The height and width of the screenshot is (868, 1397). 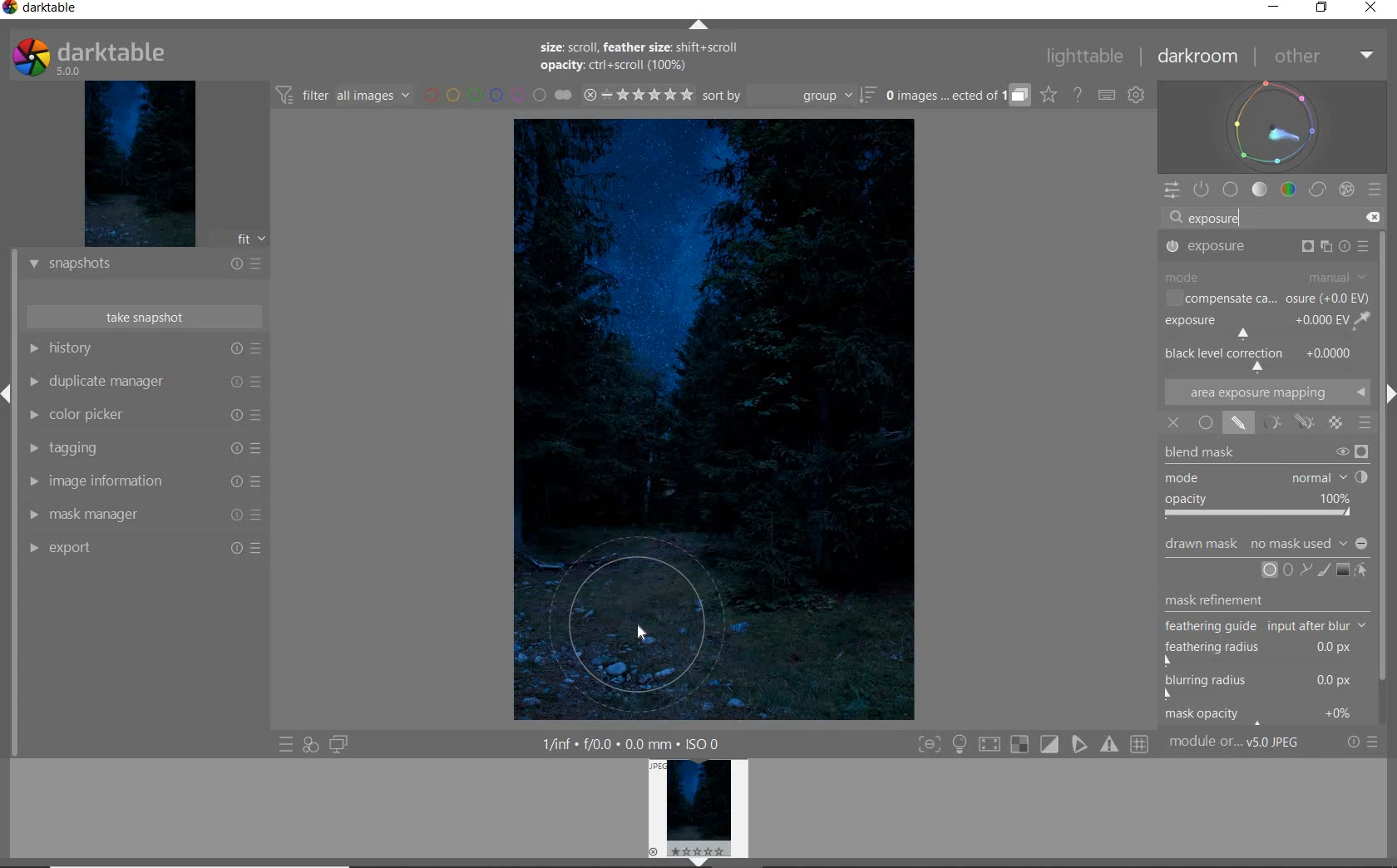 I want to click on LIGHTTABLE, so click(x=1084, y=57).